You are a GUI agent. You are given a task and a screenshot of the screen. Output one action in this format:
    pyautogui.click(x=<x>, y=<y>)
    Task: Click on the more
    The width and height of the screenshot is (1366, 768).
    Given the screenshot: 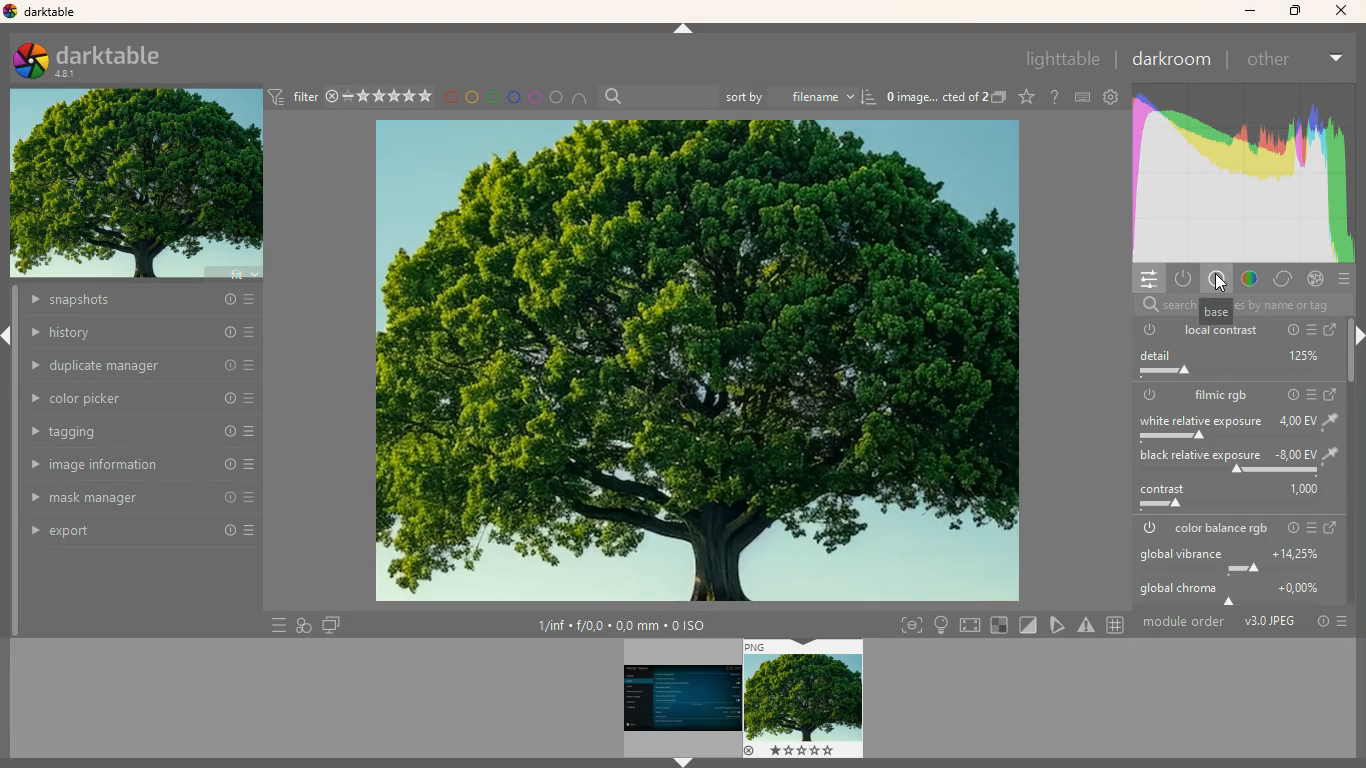 What is the action you would take?
    pyautogui.click(x=1340, y=59)
    